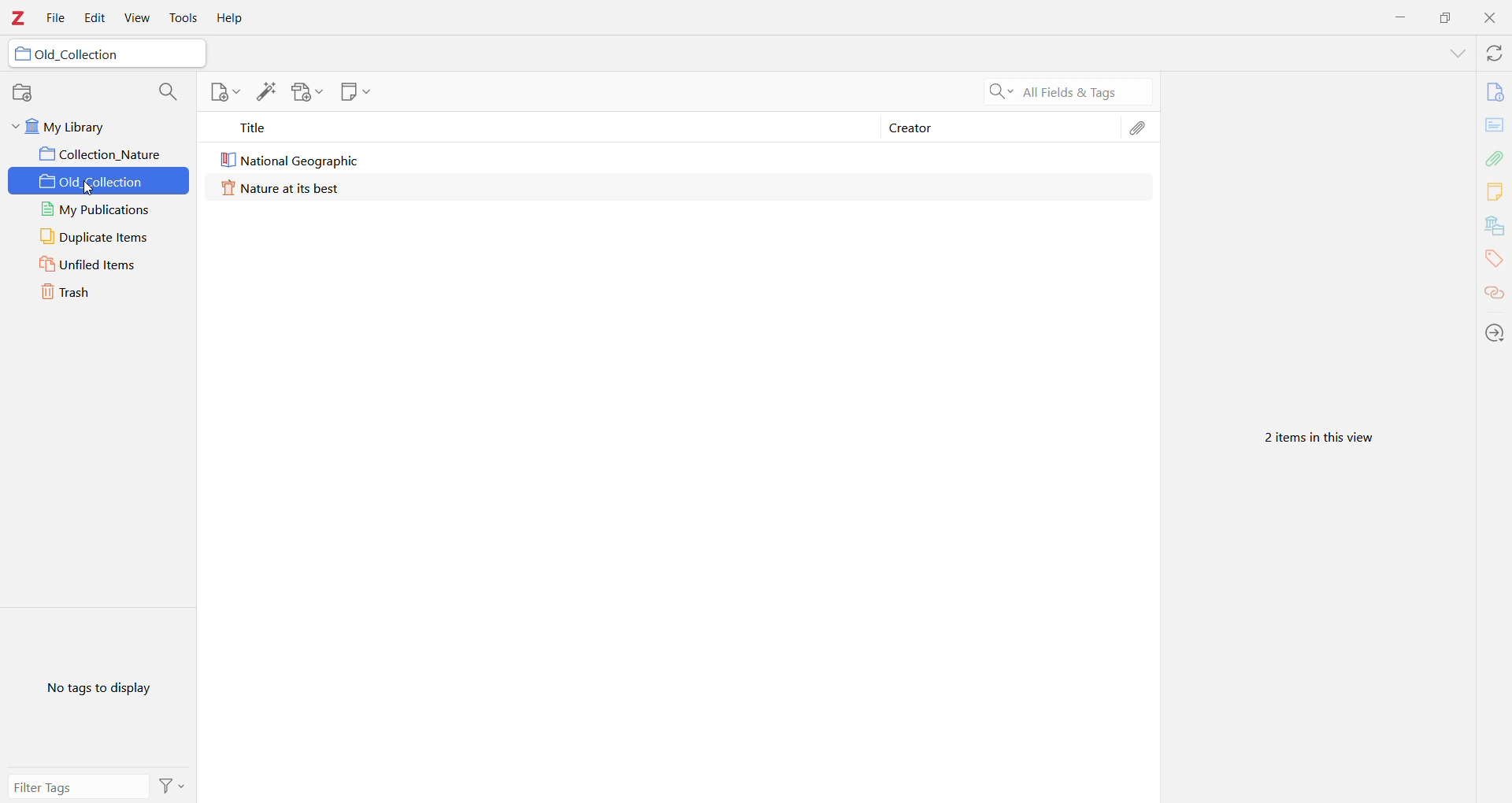  Describe the element at coordinates (1495, 94) in the screenshot. I see `Info` at that location.